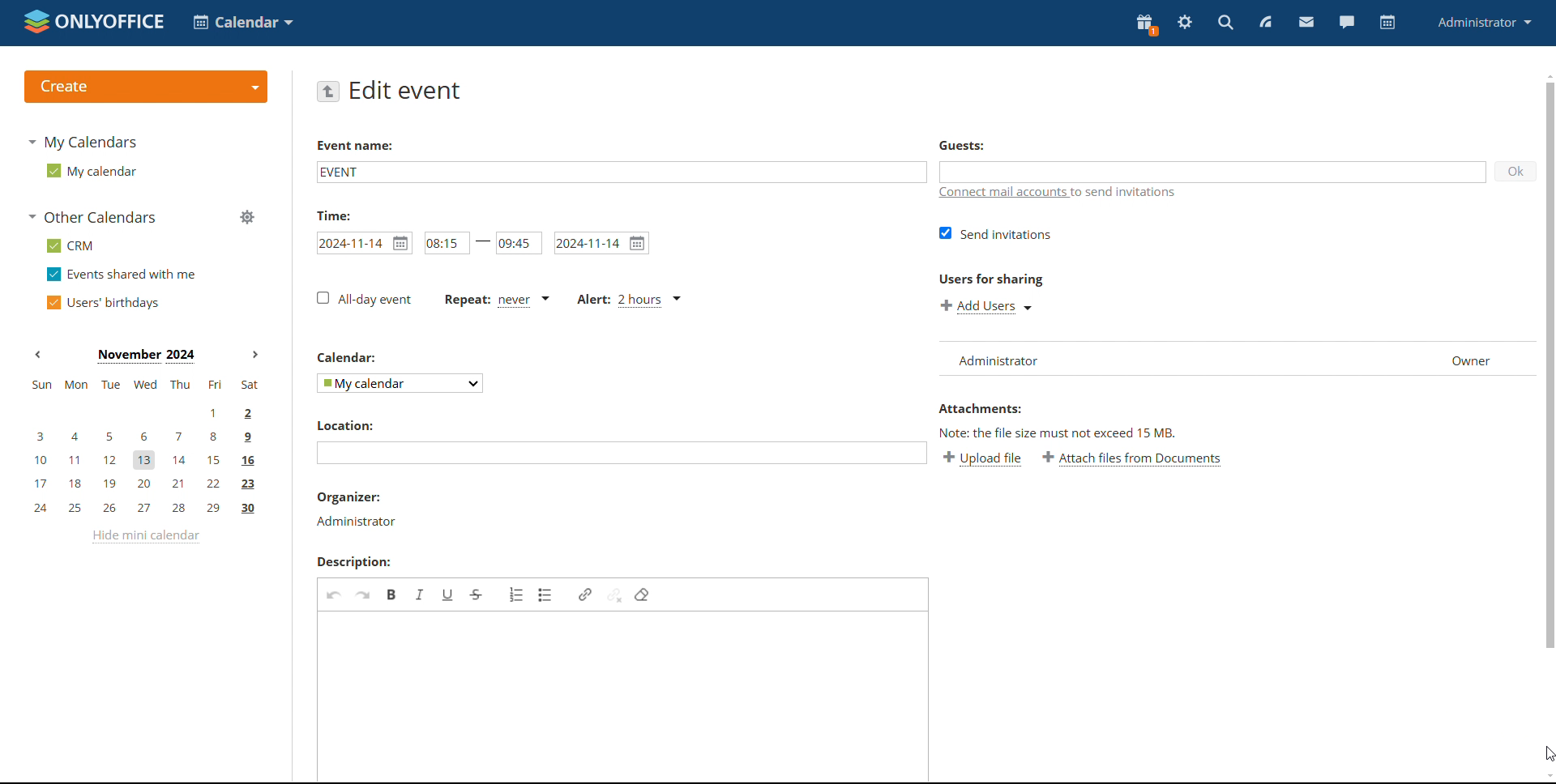  Describe the element at coordinates (1346, 21) in the screenshot. I see `chat` at that location.